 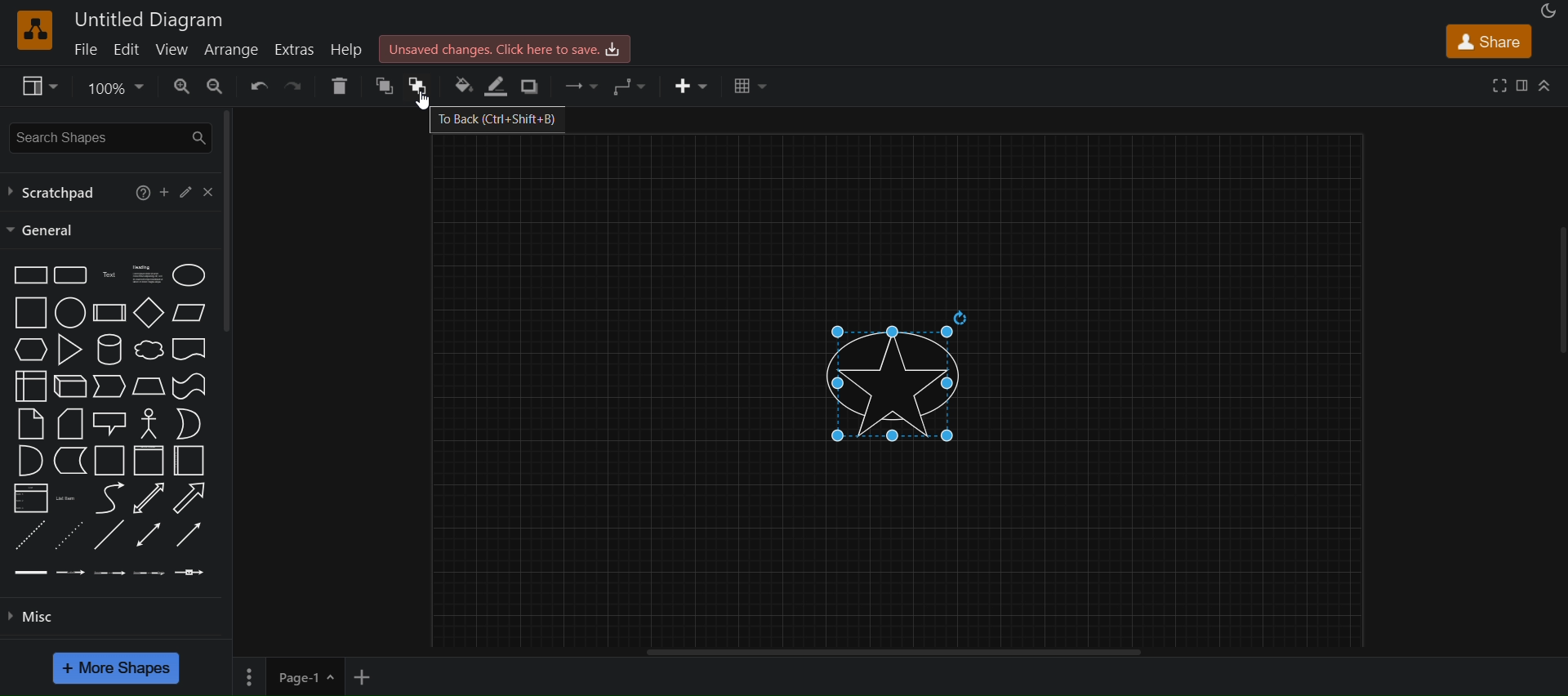 I want to click on bidirectional linr, so click(x=148, y=534).